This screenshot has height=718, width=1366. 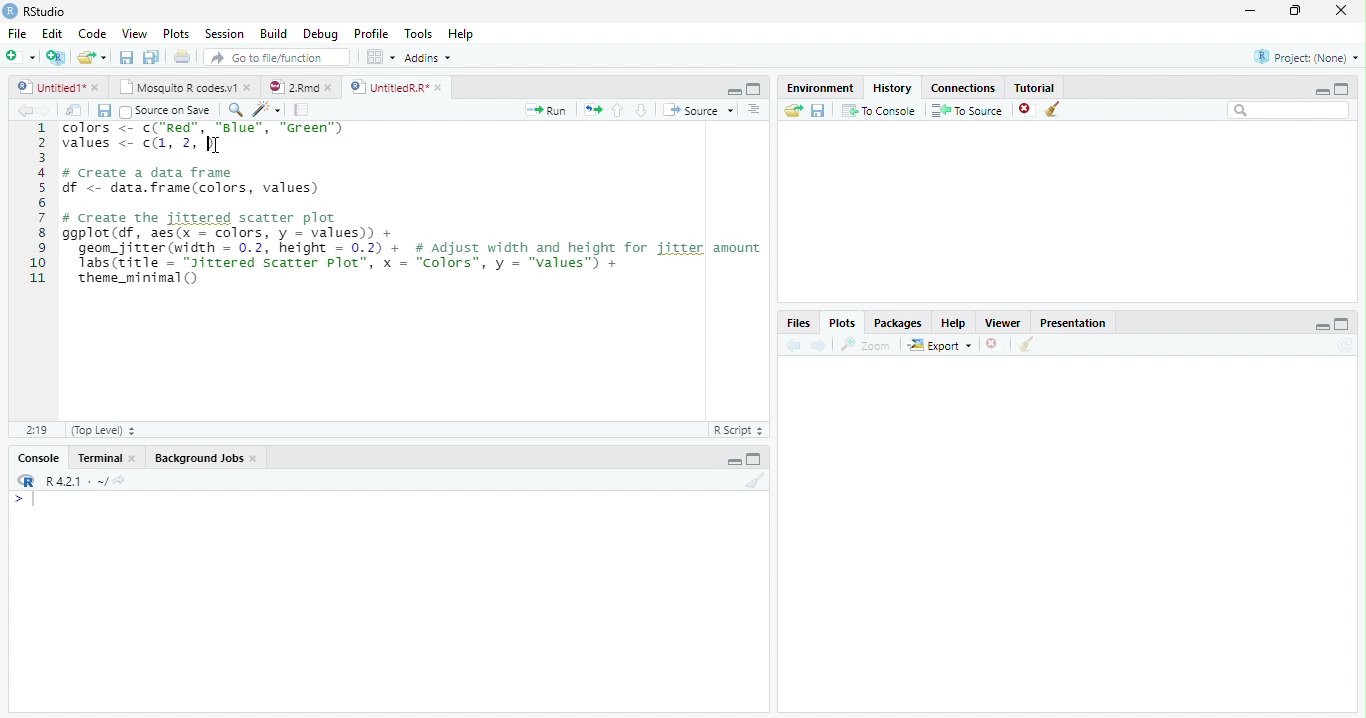 I want to click on close, so click(x=247, y=87).